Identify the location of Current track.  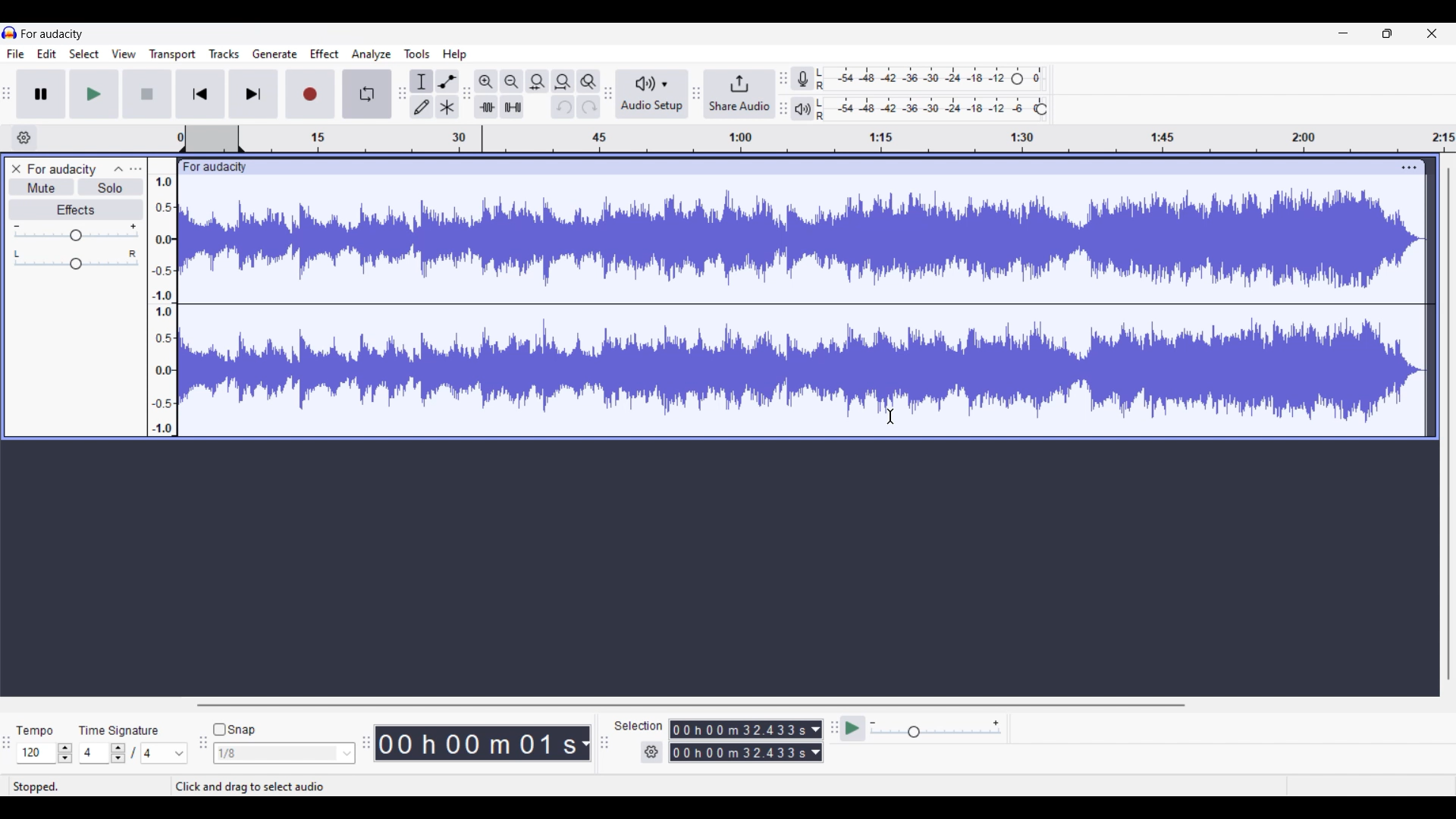
(802, 308).